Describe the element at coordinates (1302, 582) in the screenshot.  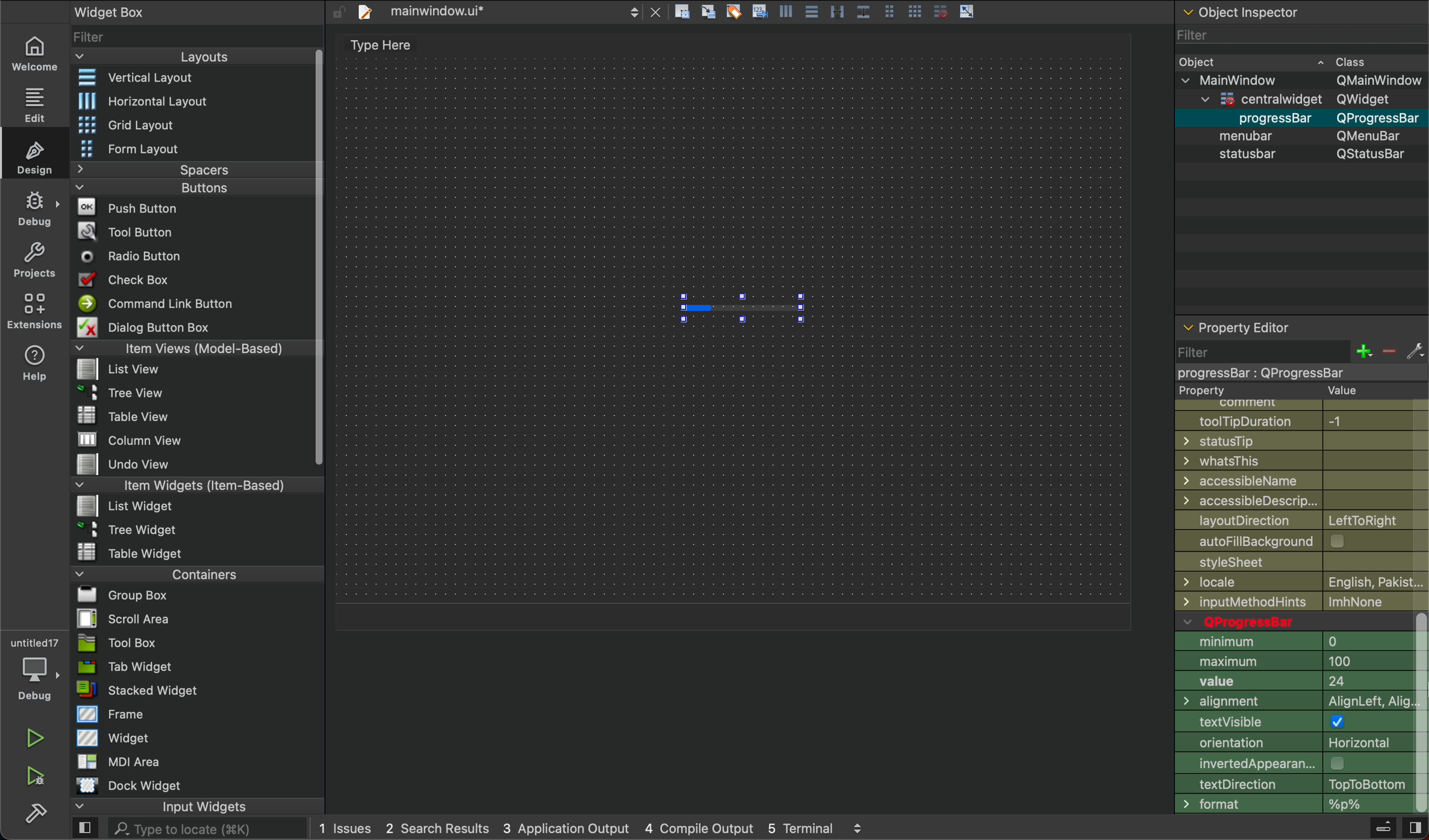
I see `locale` at that location.